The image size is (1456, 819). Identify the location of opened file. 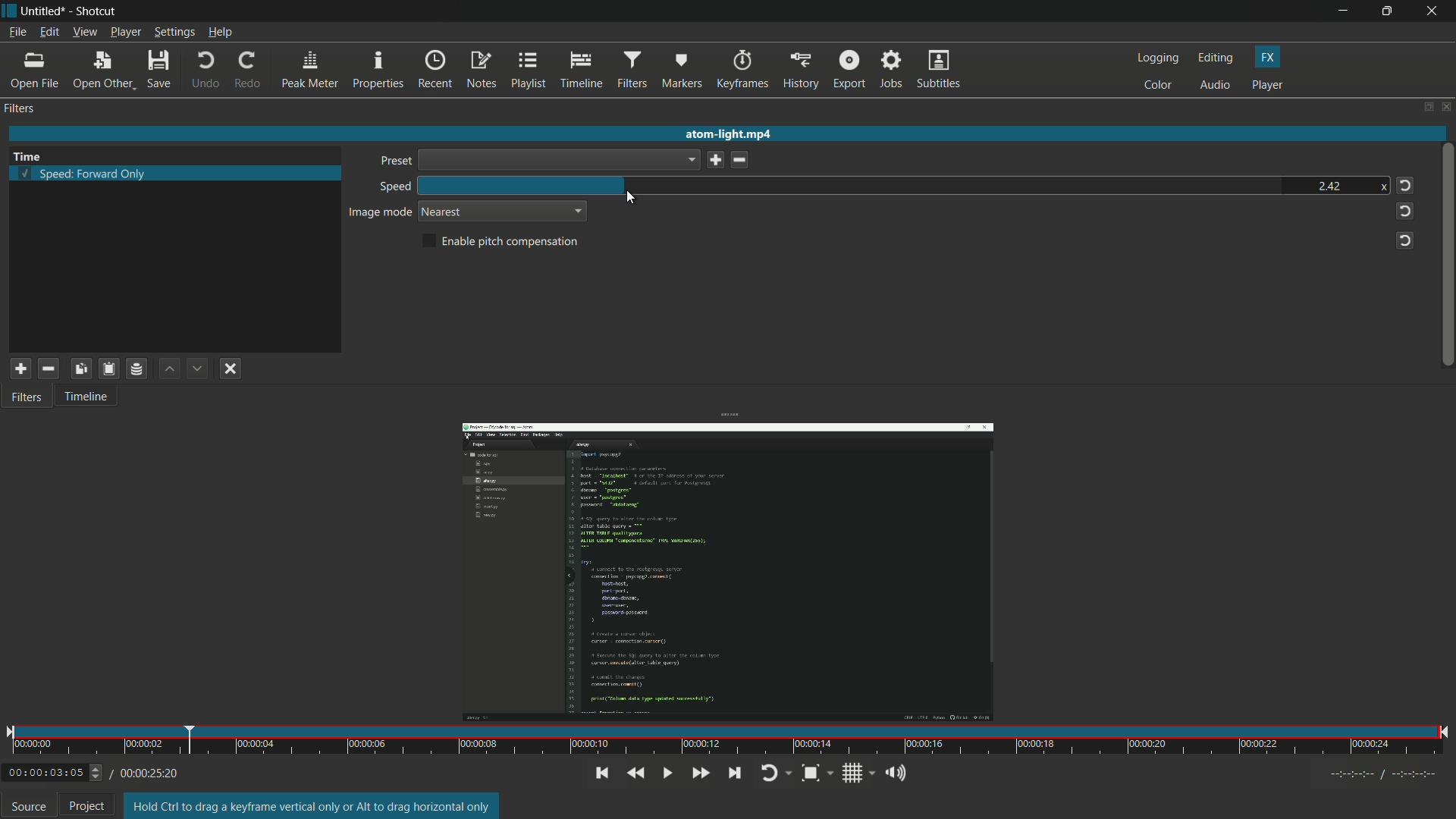
(724, 570).